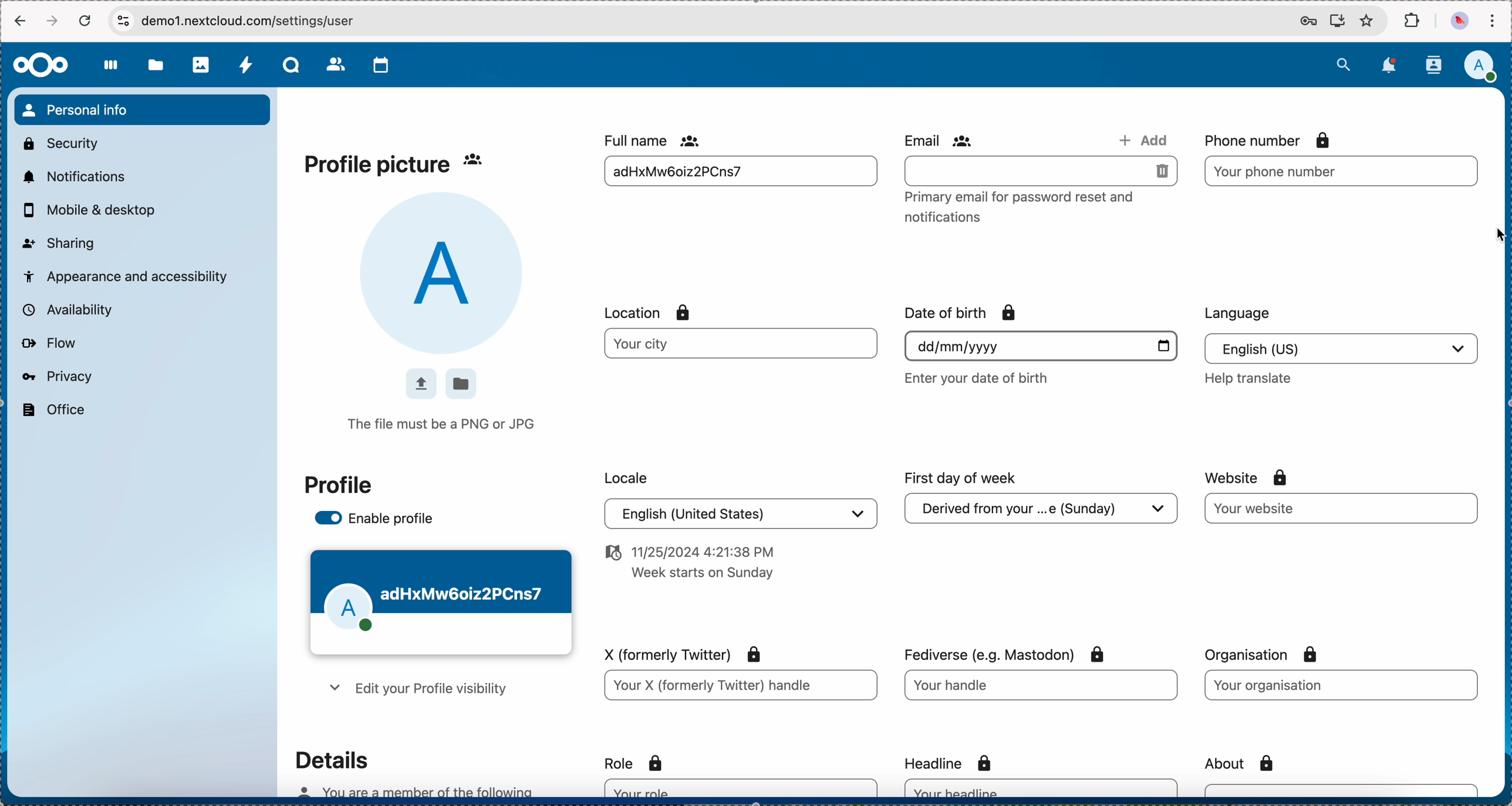  Describe the element at coordinates (1305, 22) in the screenshot. I see `passwords` at that location.